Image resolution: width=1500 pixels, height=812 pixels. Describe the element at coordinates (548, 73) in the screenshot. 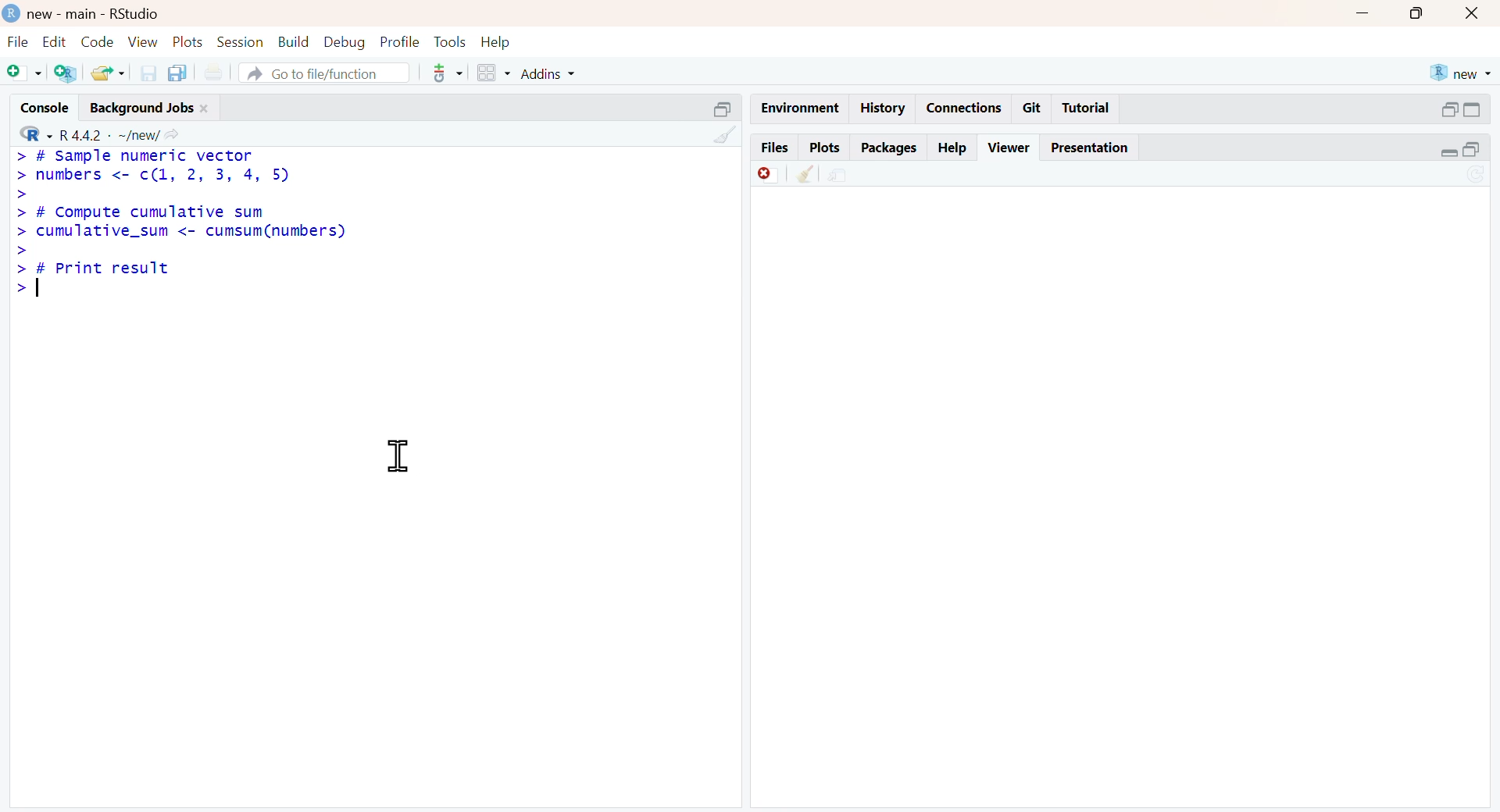

I see `addins` at that location.